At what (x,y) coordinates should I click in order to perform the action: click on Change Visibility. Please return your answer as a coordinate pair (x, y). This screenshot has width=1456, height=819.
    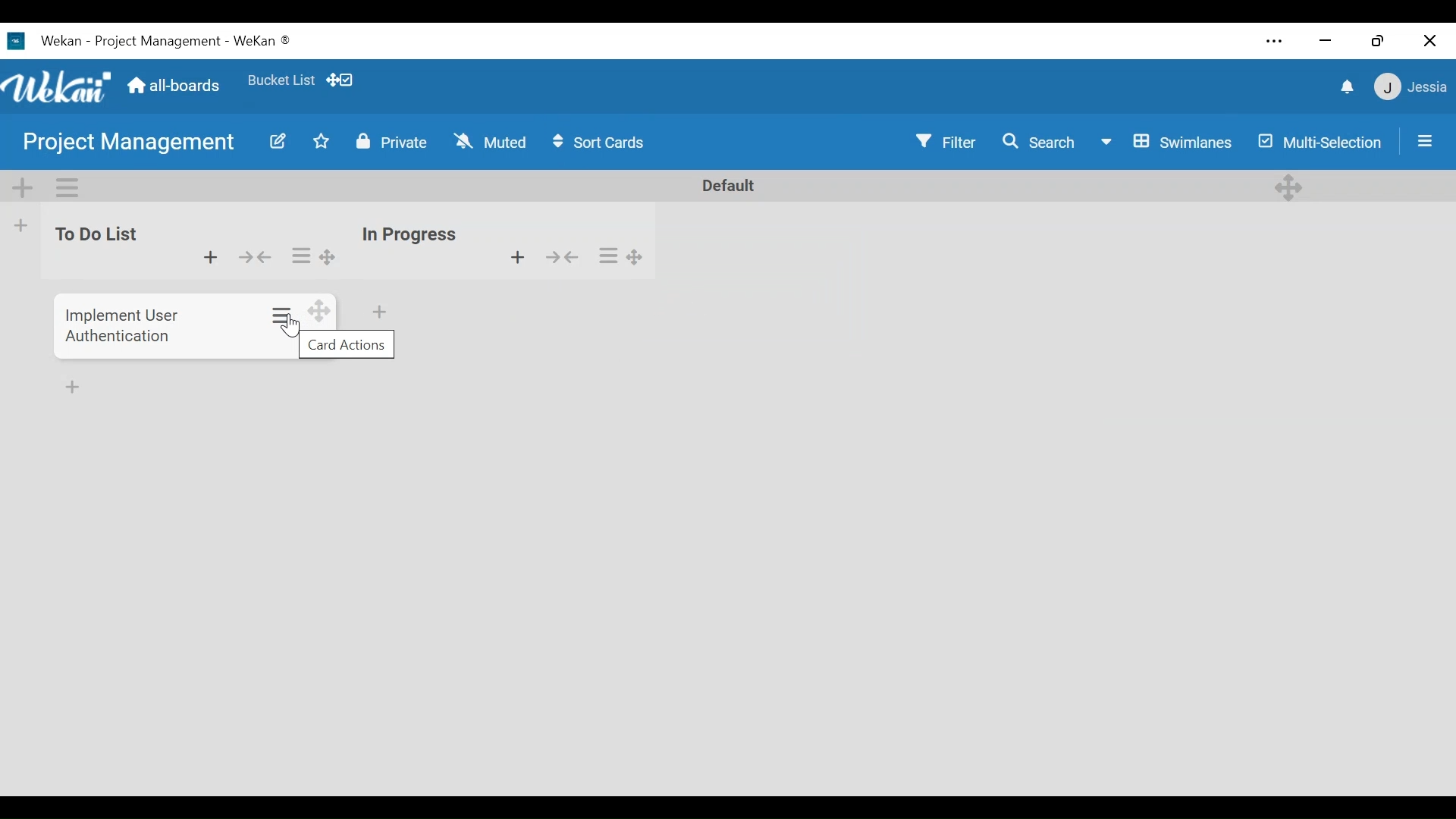
    Looking at the image, I should click on (391, 142).